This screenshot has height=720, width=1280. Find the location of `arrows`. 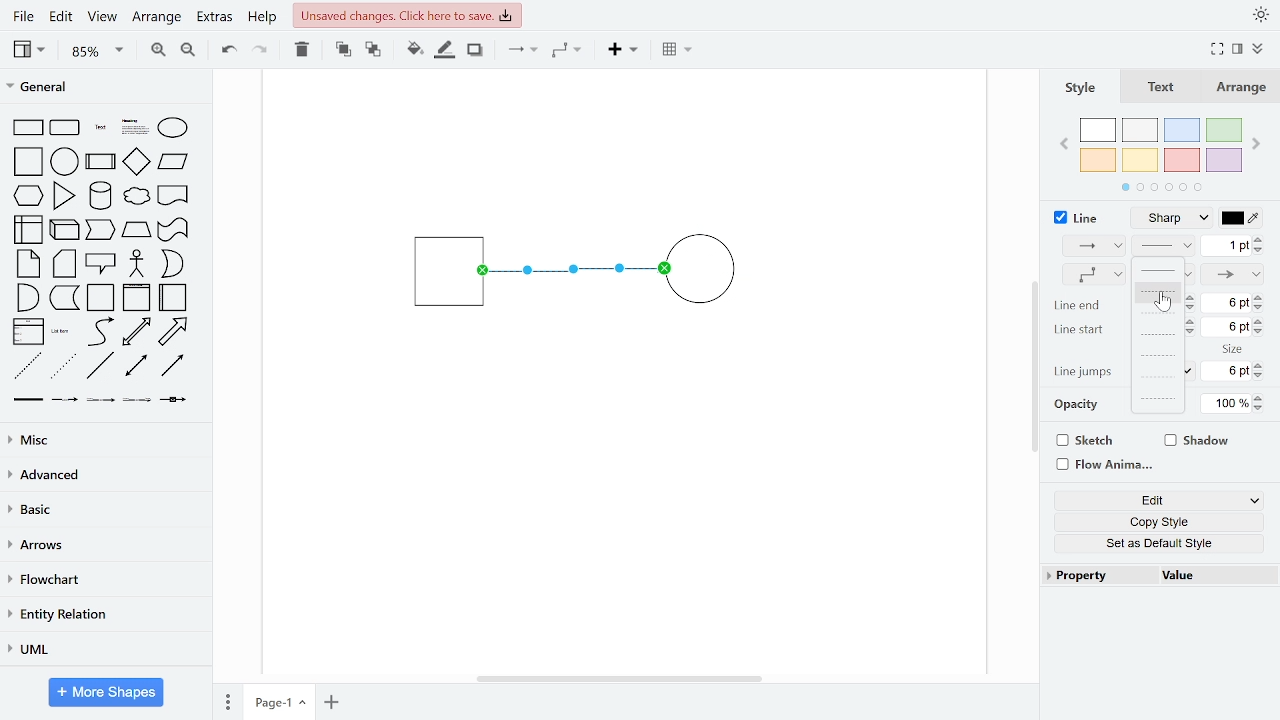

arrows is located at coordinates (103, 546).